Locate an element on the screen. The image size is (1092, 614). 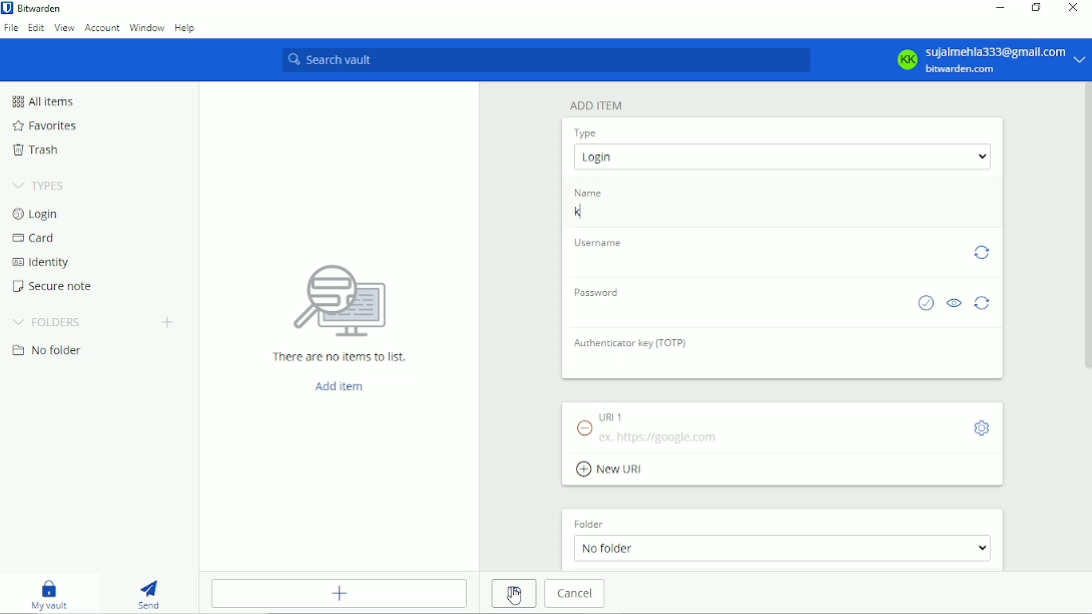
No Folder is located at coordinates (782, 548).